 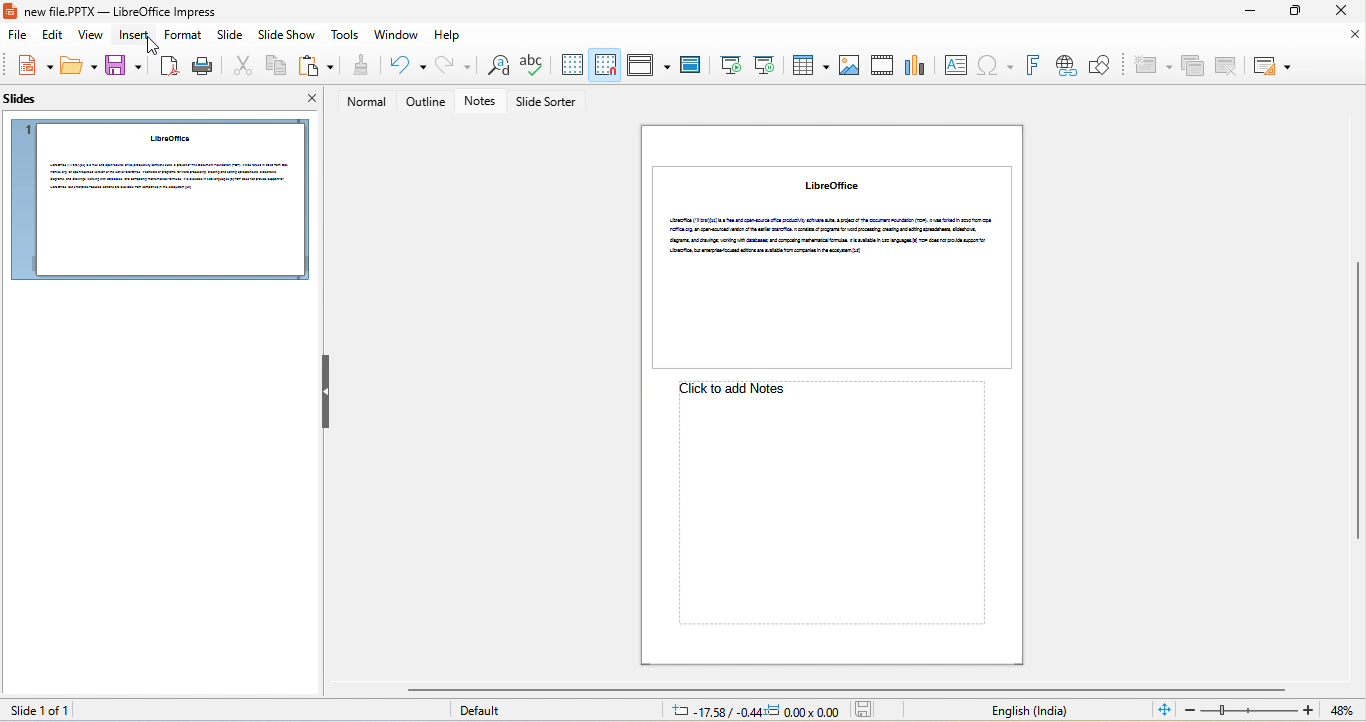 I want to click on duplicate slide, so click(x=1193, y=67).